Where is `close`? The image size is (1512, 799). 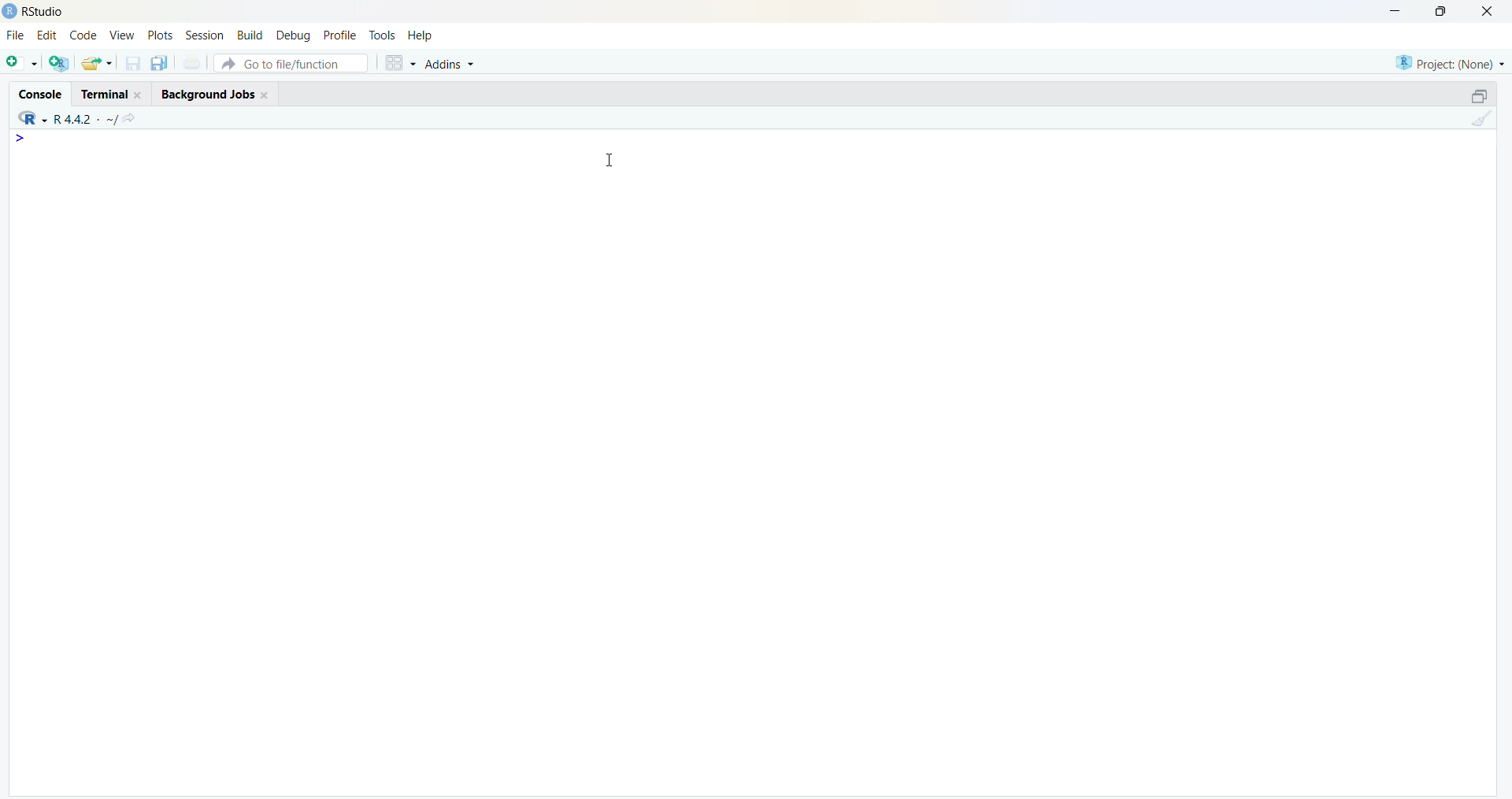
close is located at coordinates (1488, 10).